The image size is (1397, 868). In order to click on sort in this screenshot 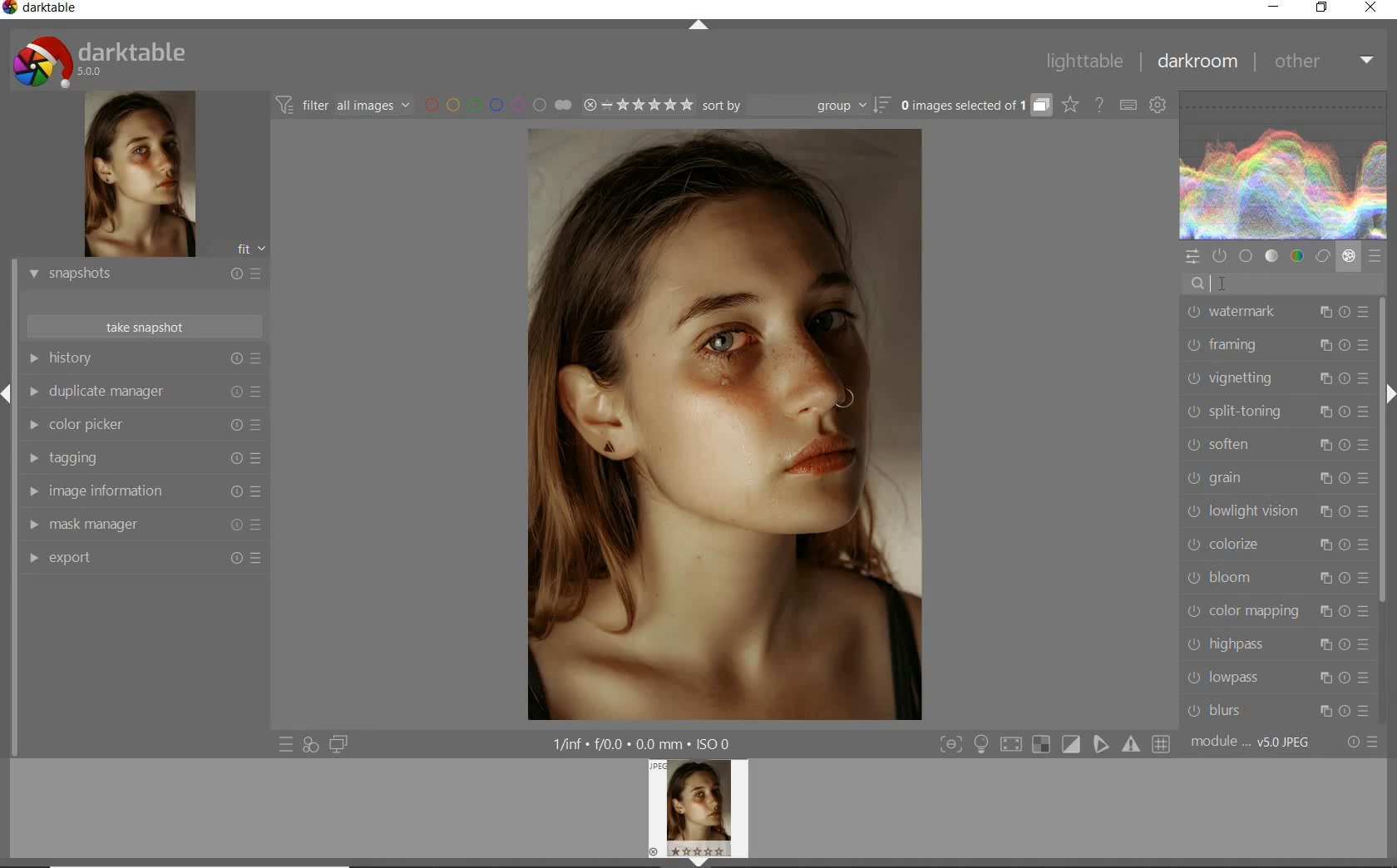, I will do `click(797, 105)`.